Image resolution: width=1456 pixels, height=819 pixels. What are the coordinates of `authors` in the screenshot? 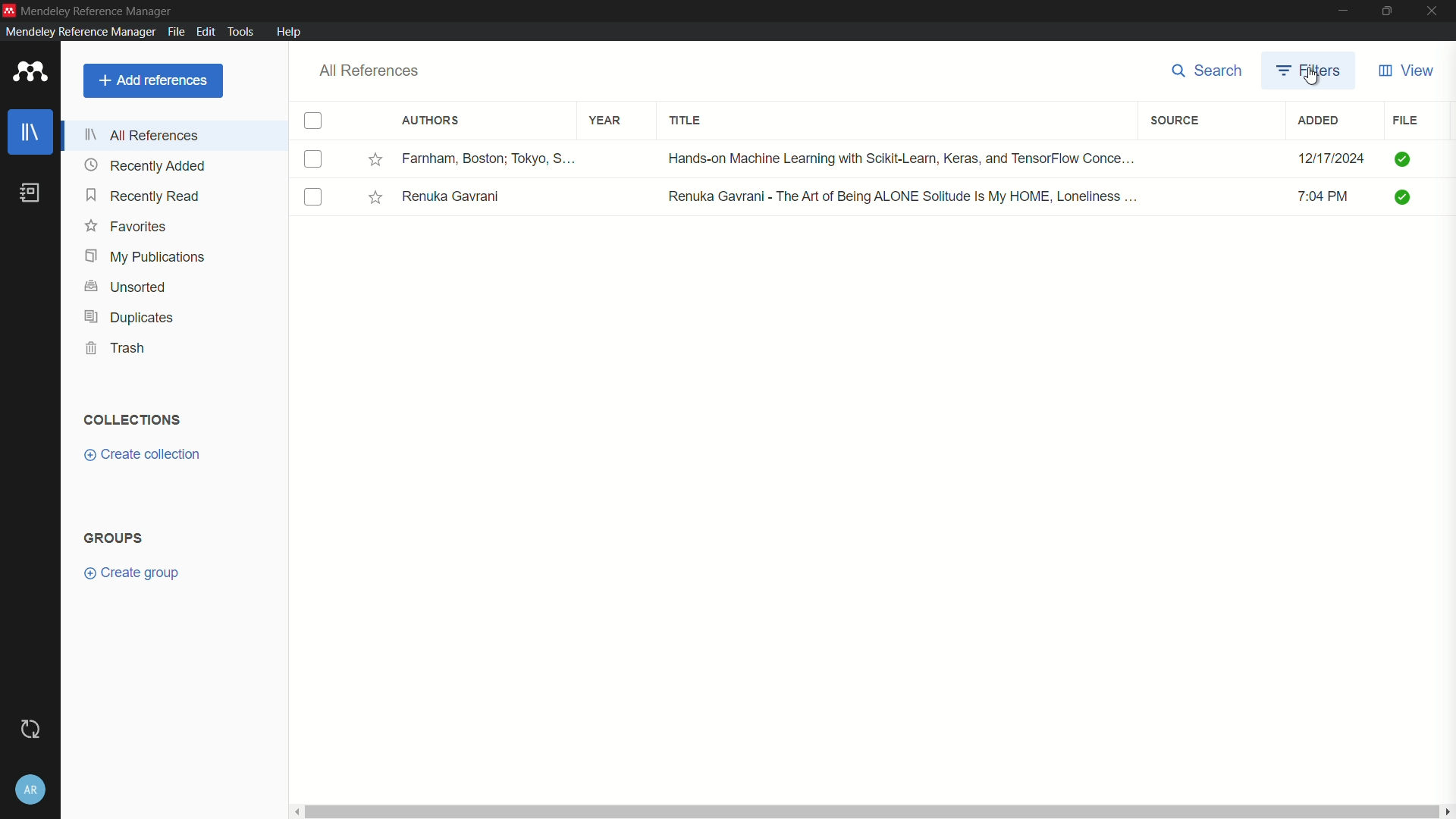 It's located at (431, 120).